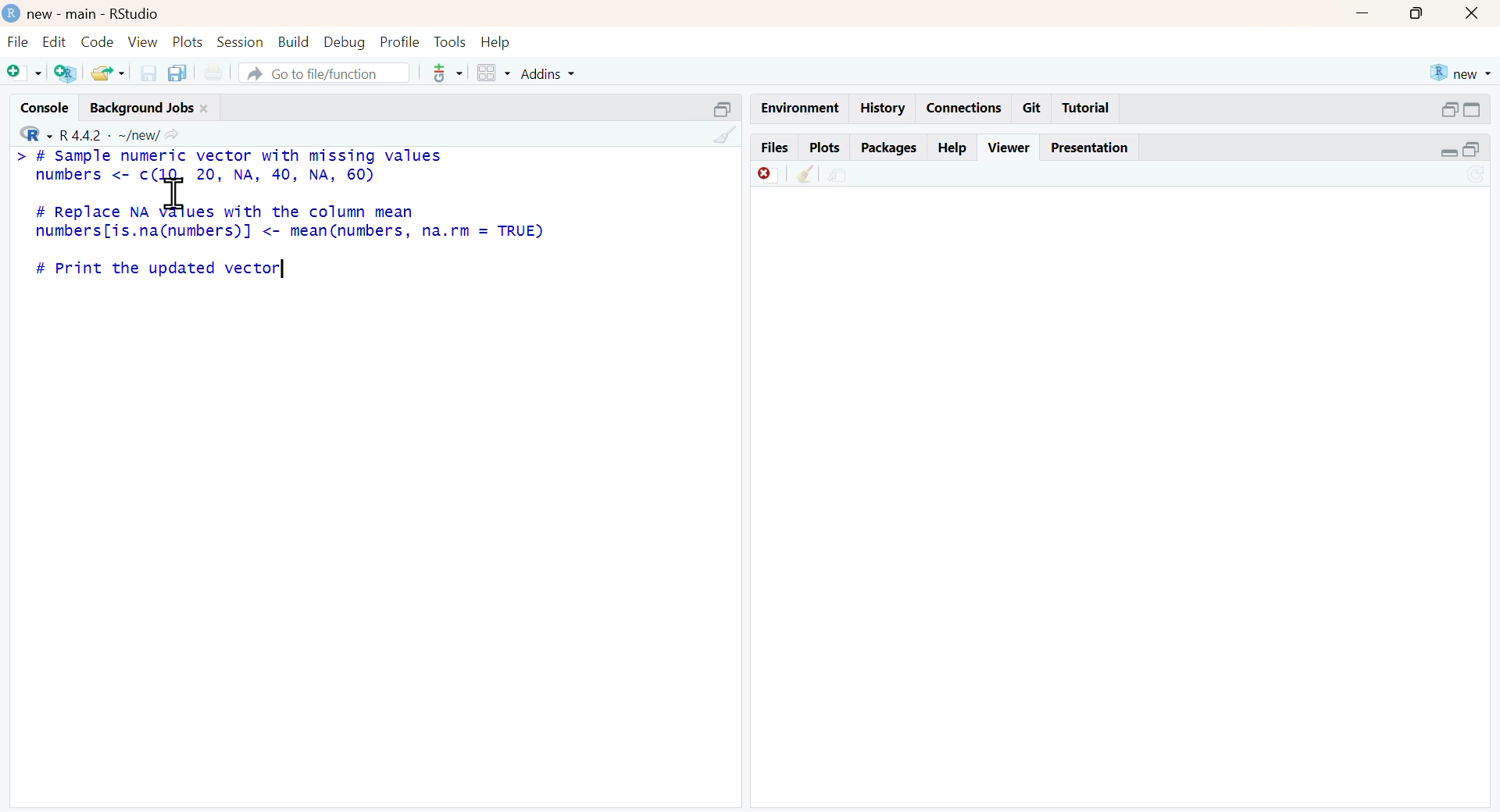  Describe the element at coordinates (1418, 13) in the screenshot. I see `maximise` at that location.